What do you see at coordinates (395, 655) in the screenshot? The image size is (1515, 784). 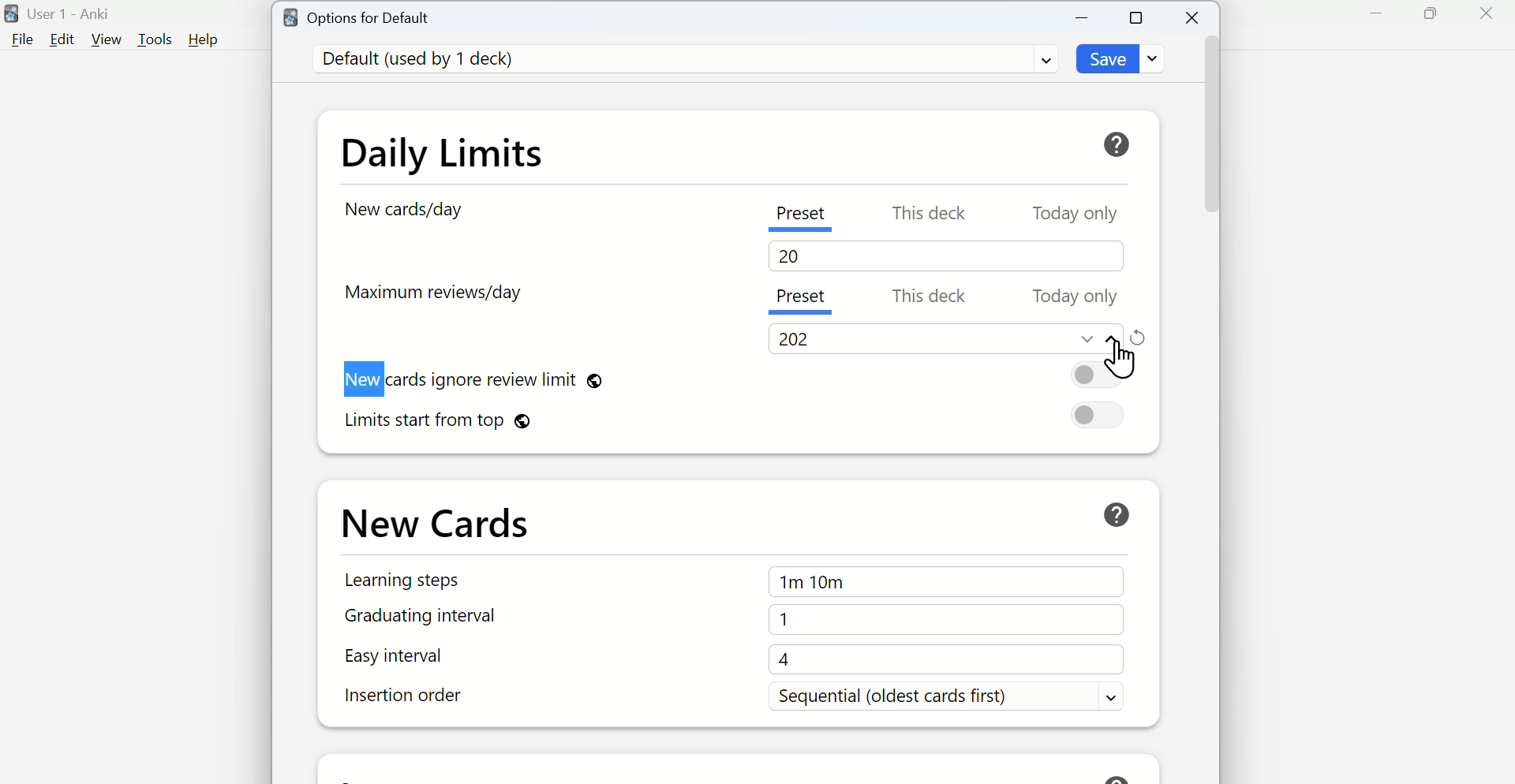 I see `Easy interval` at bounding box center [395, 655].